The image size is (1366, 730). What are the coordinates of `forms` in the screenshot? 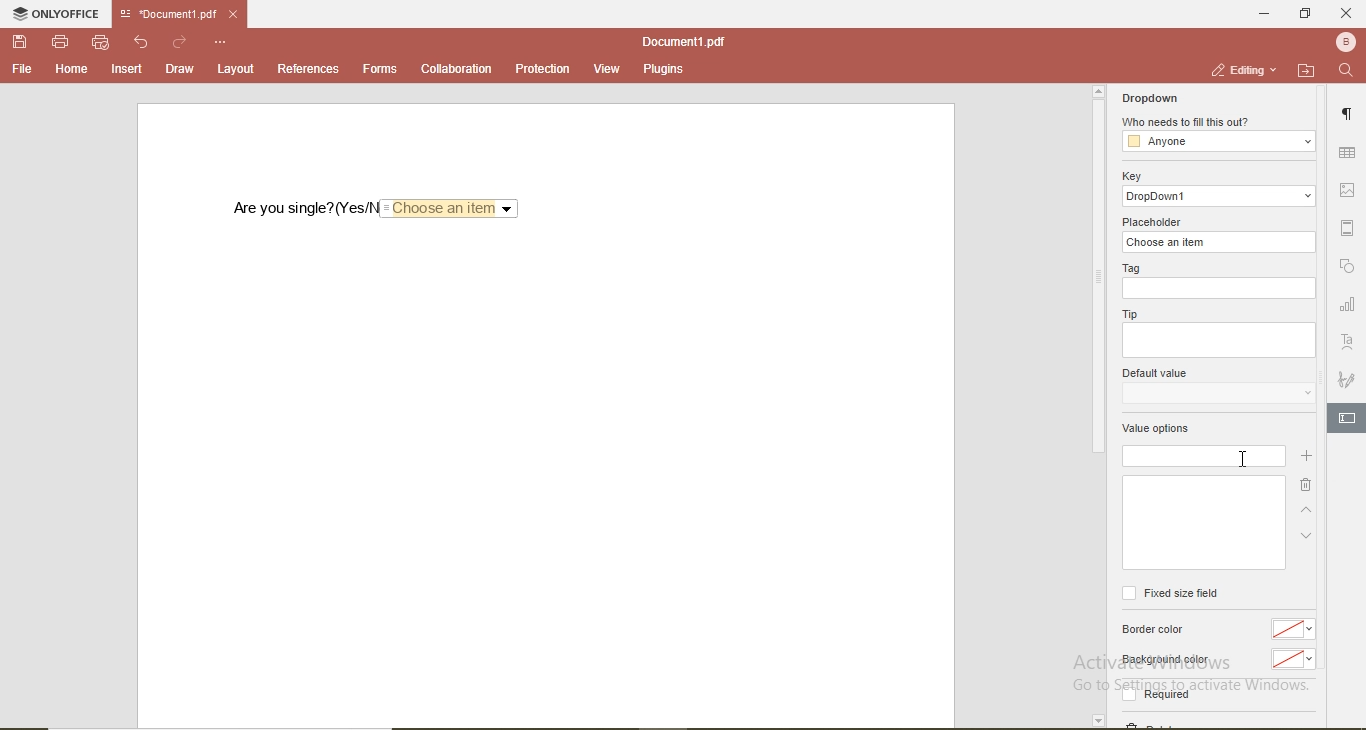 It's located at (379, 69).